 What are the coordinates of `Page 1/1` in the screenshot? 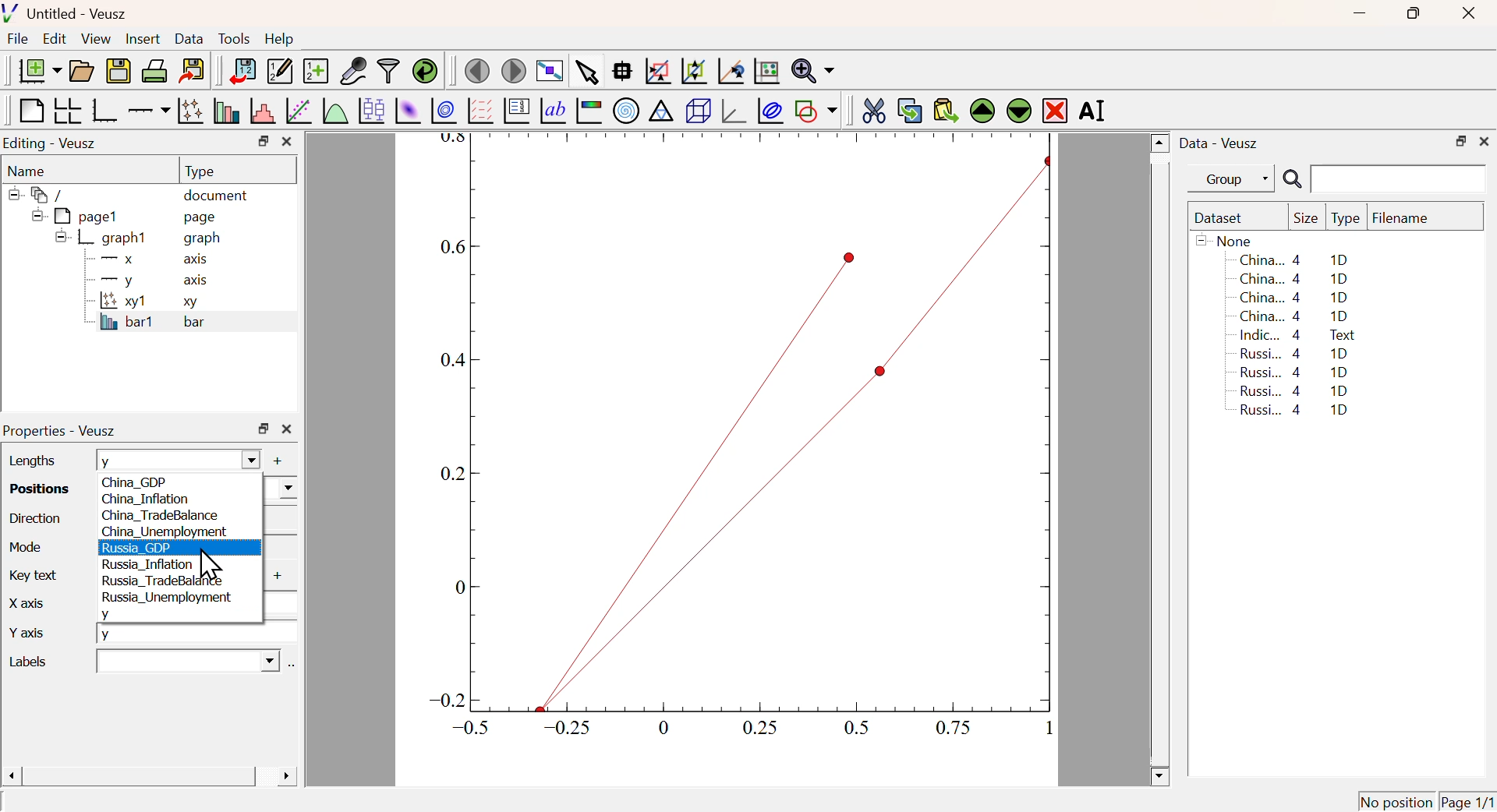 It's located at (1466, 801).